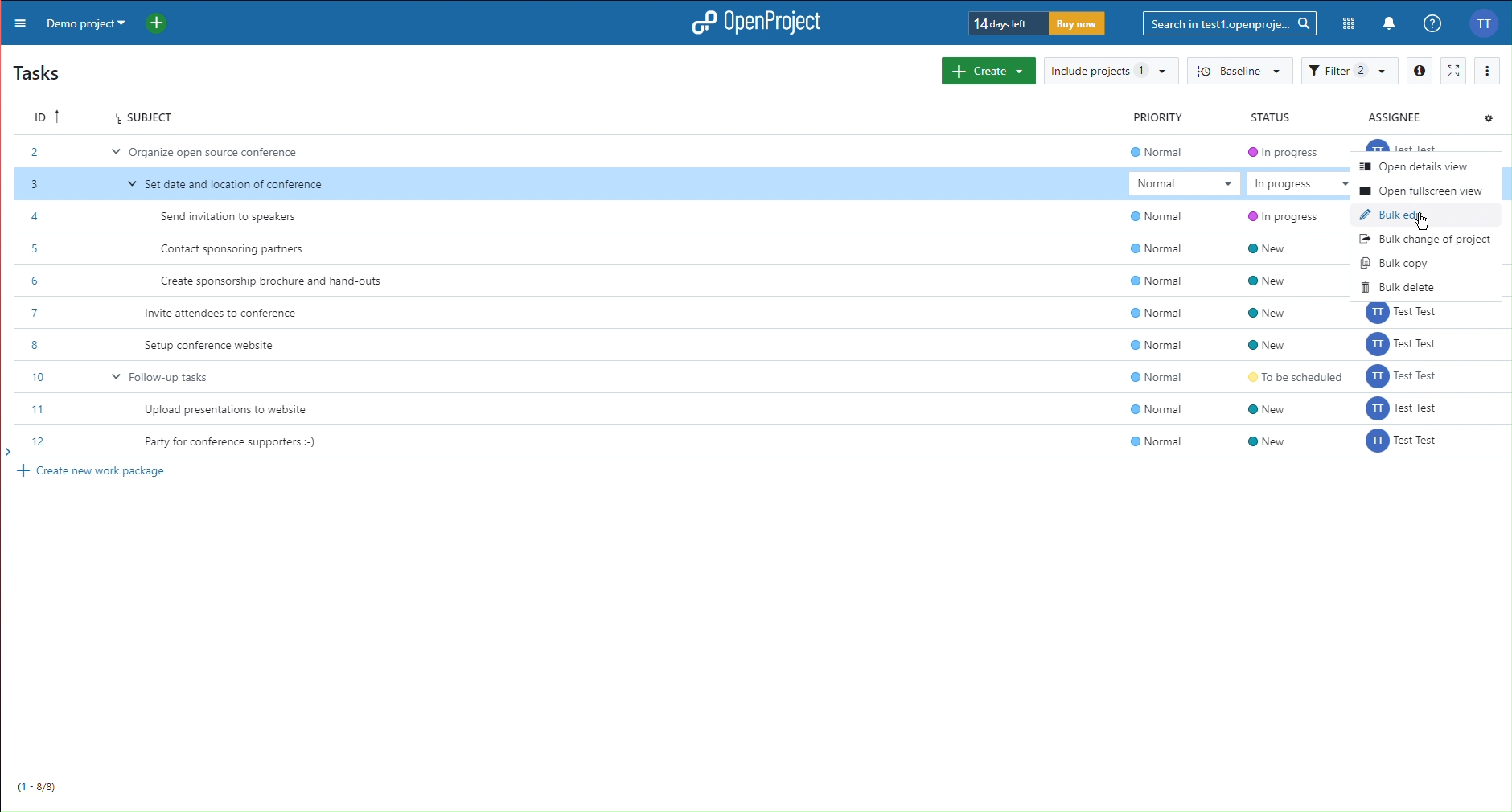  What do you see at coordinates (1419, 71) in the screenshot?
I see `Info` at bounding box center [1419, 71].